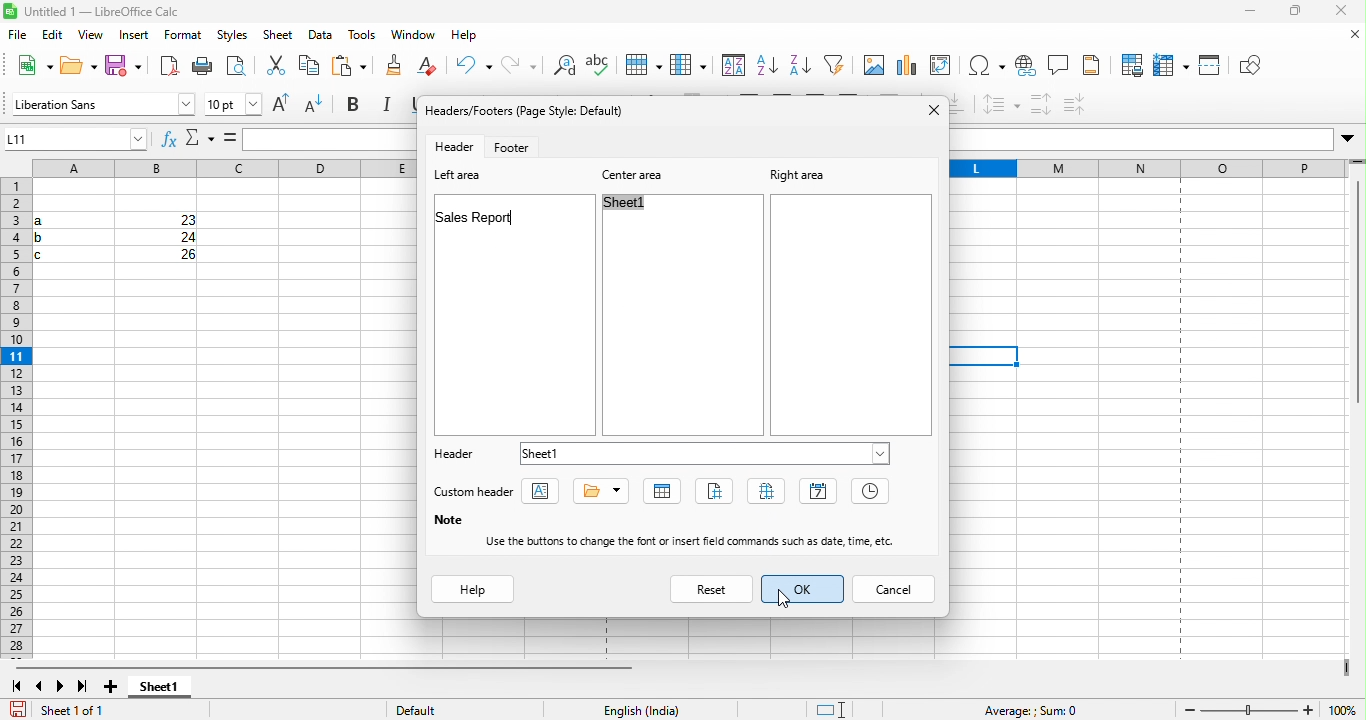  I want to click on sheet name, so click(659, 490).